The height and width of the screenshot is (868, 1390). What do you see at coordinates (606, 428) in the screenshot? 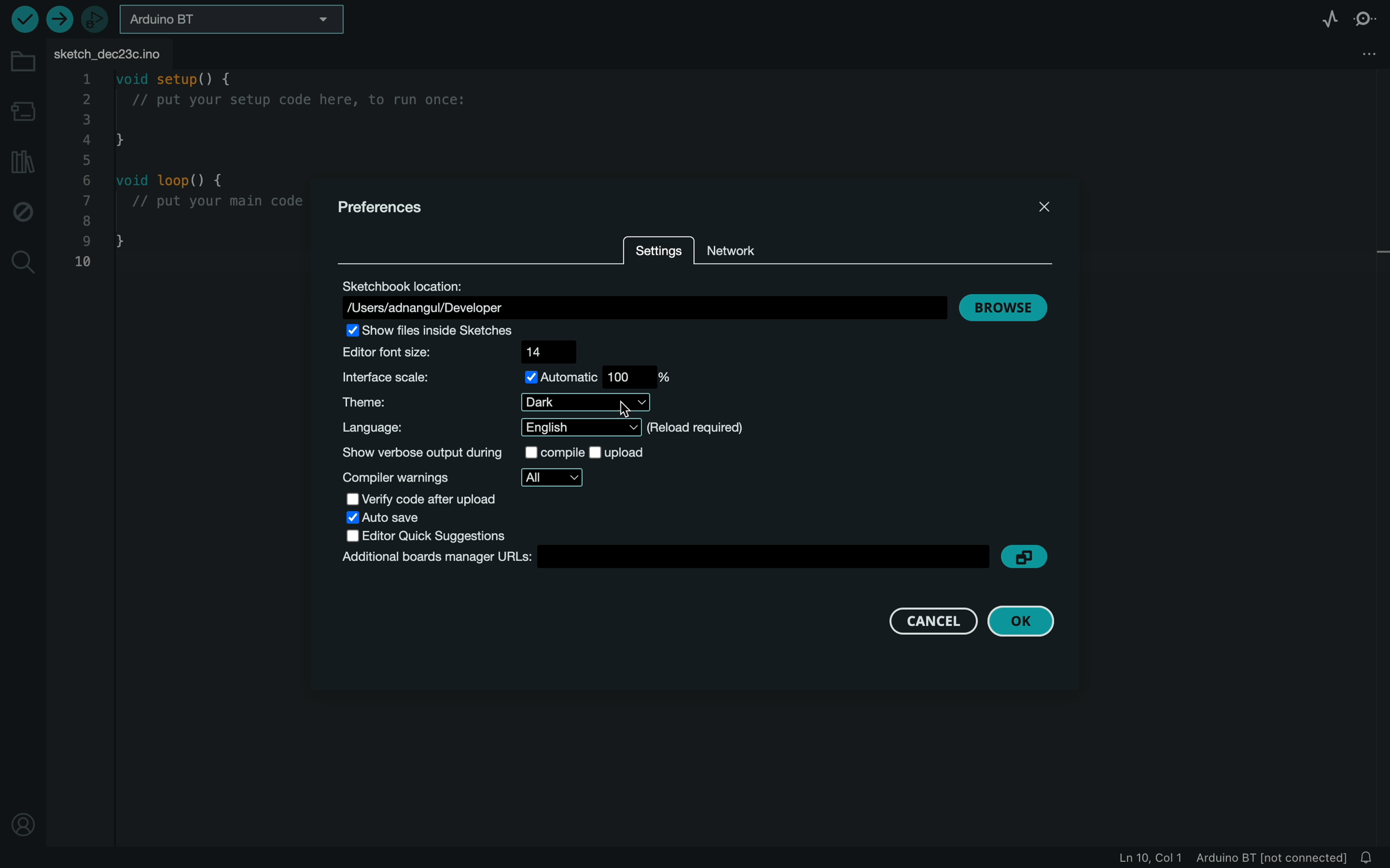
I see `language` at bounding box center [606, 428].